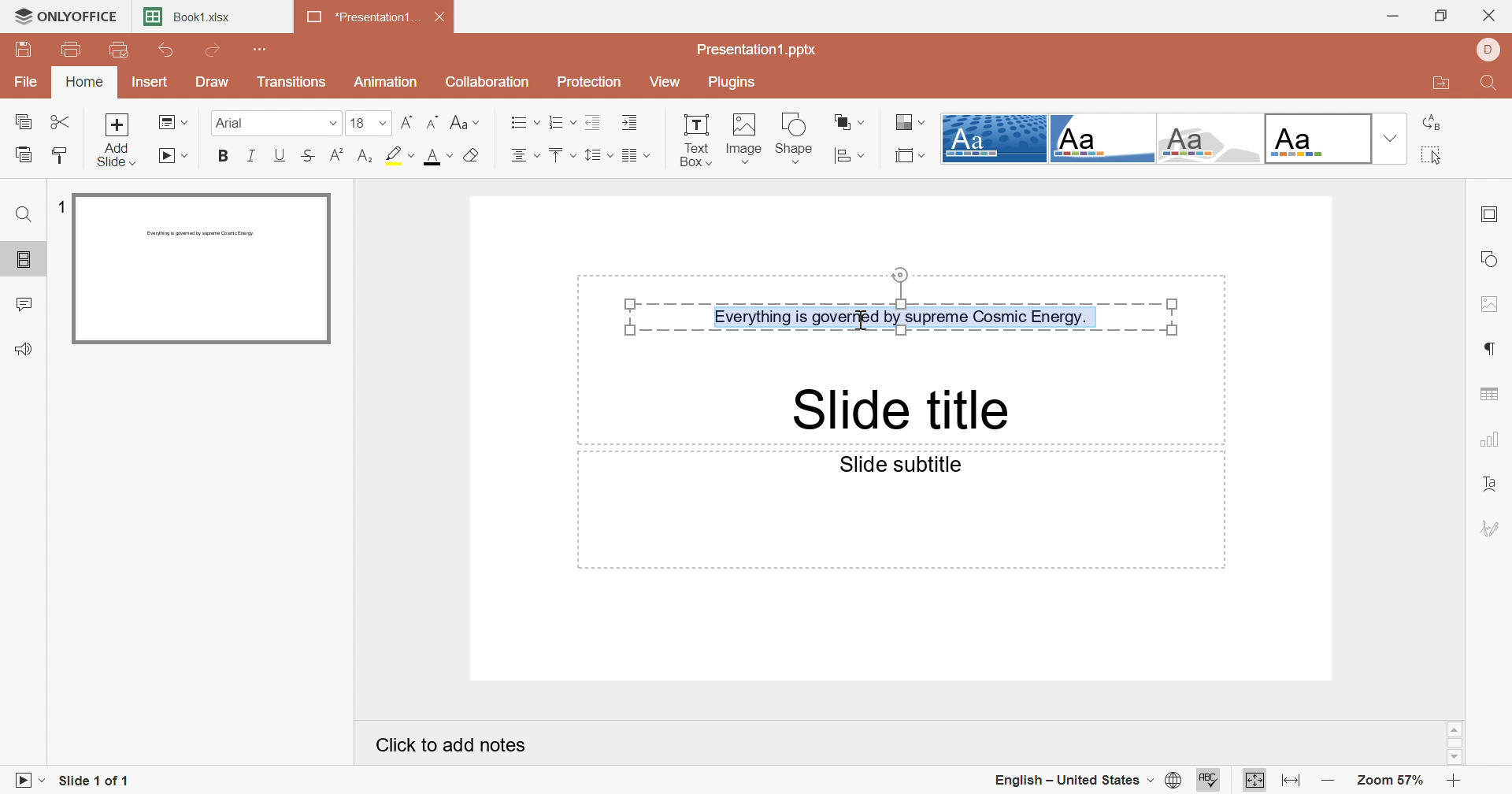 The height and width of the screenshot is (794, 1512). I want to click on Start slideshow, so click(28, 782).